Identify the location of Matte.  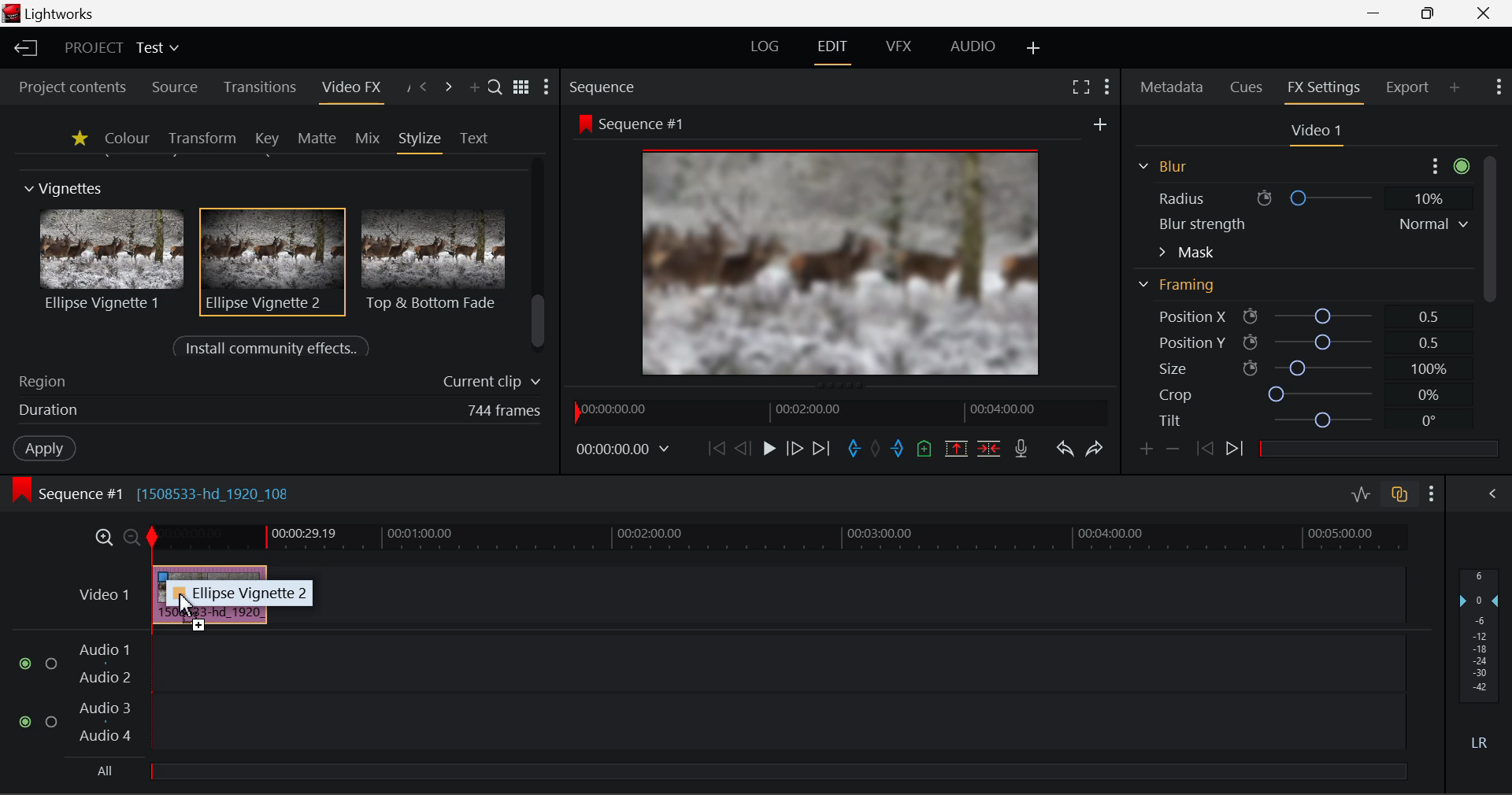
(317, 138).